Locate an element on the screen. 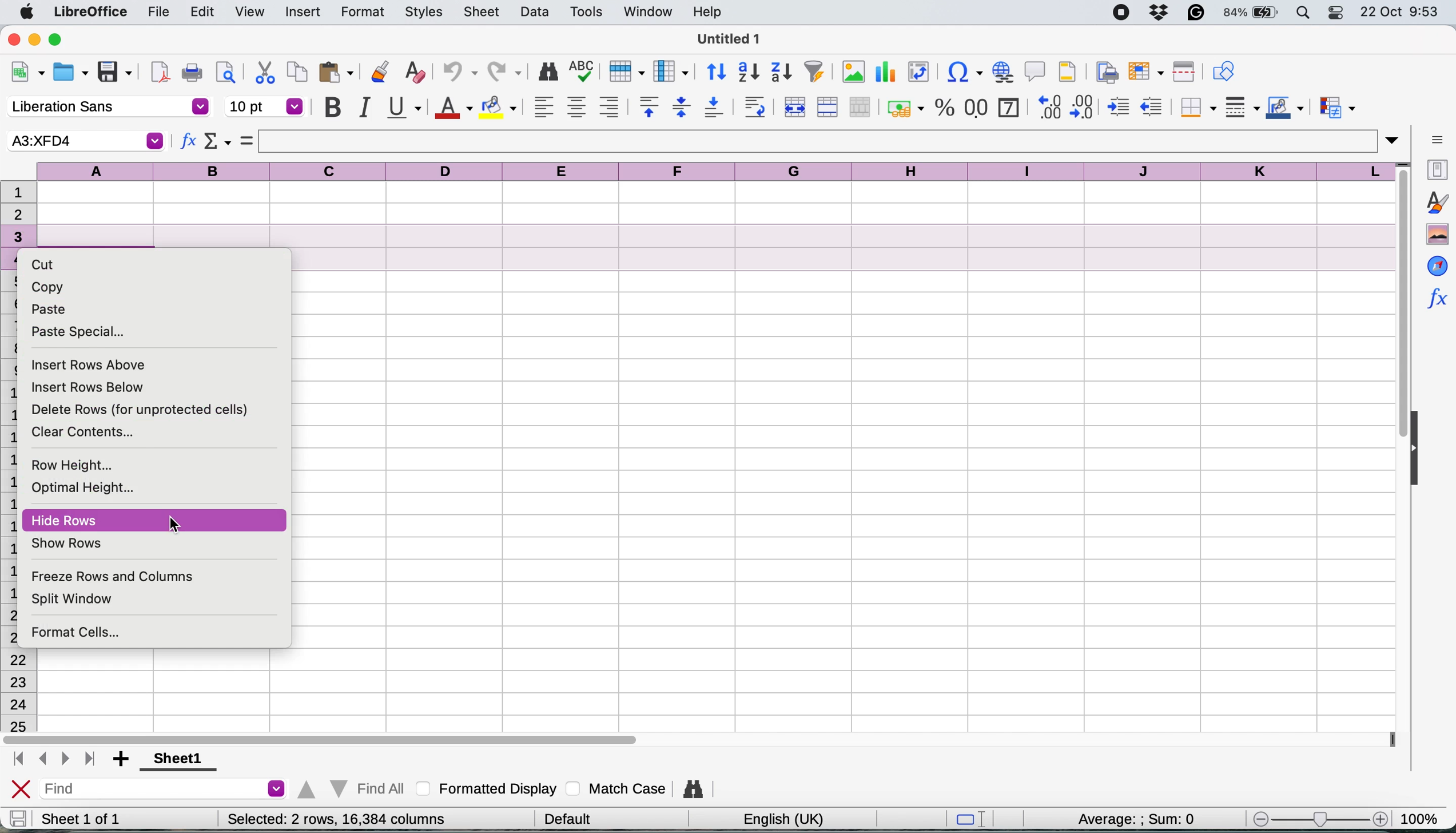 This screenshot has height=833, width=1456. column is located at coordinates (671, 70).